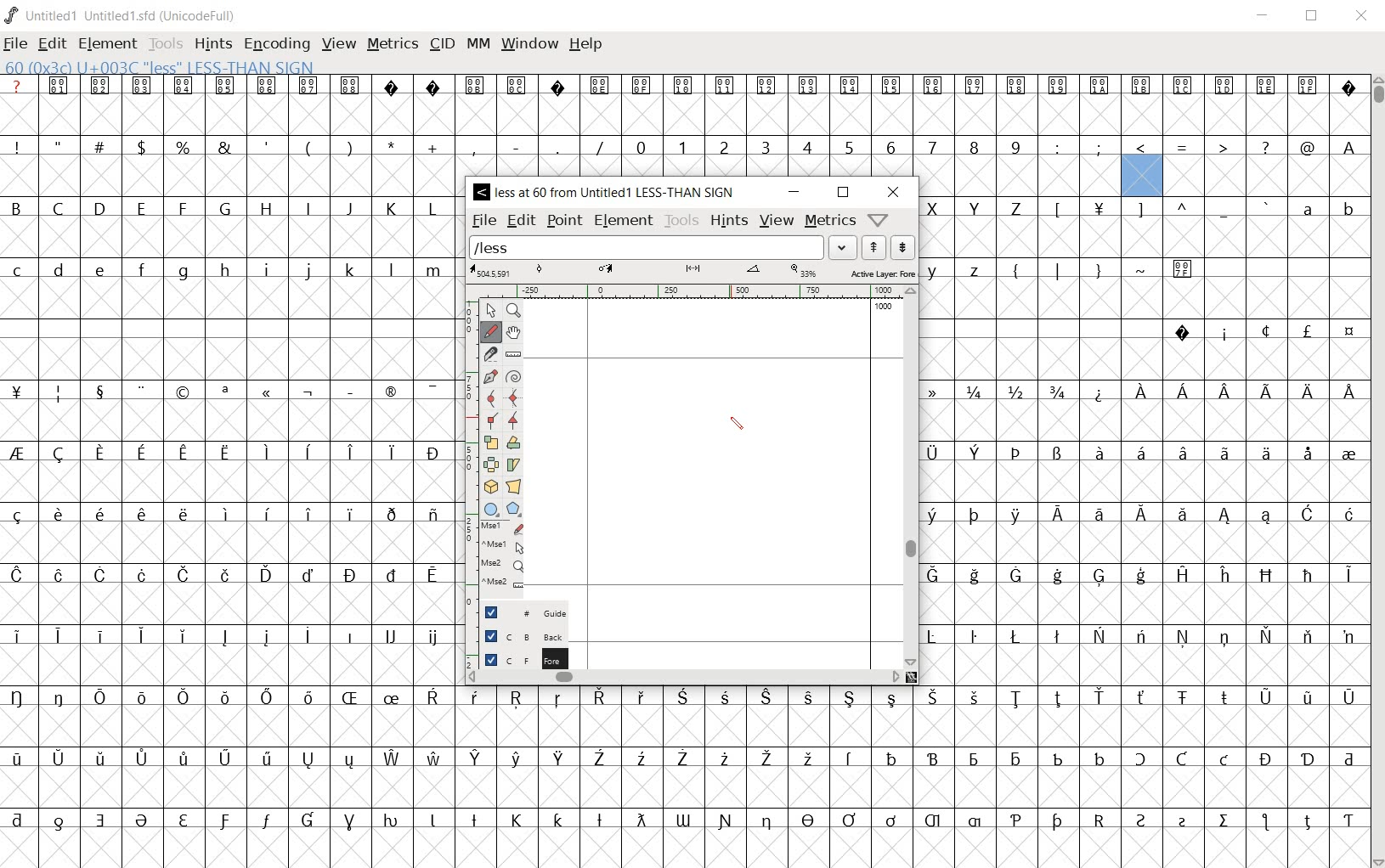  I want to click on Untitled1 Untitled1.sfd (UnicodeFull), so click(124, 15).